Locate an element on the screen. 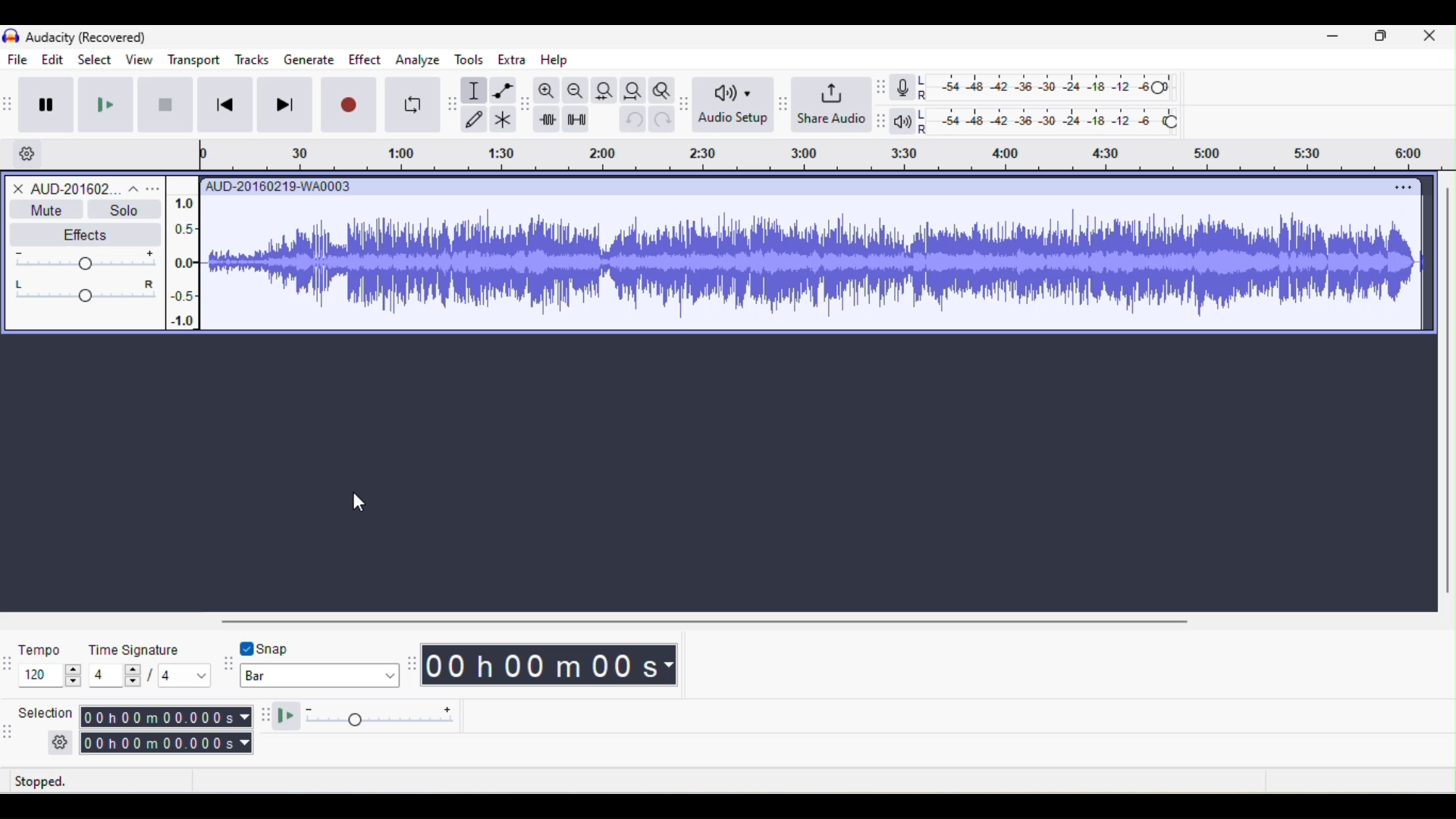  skip to start is located at coordinates (227, 106).